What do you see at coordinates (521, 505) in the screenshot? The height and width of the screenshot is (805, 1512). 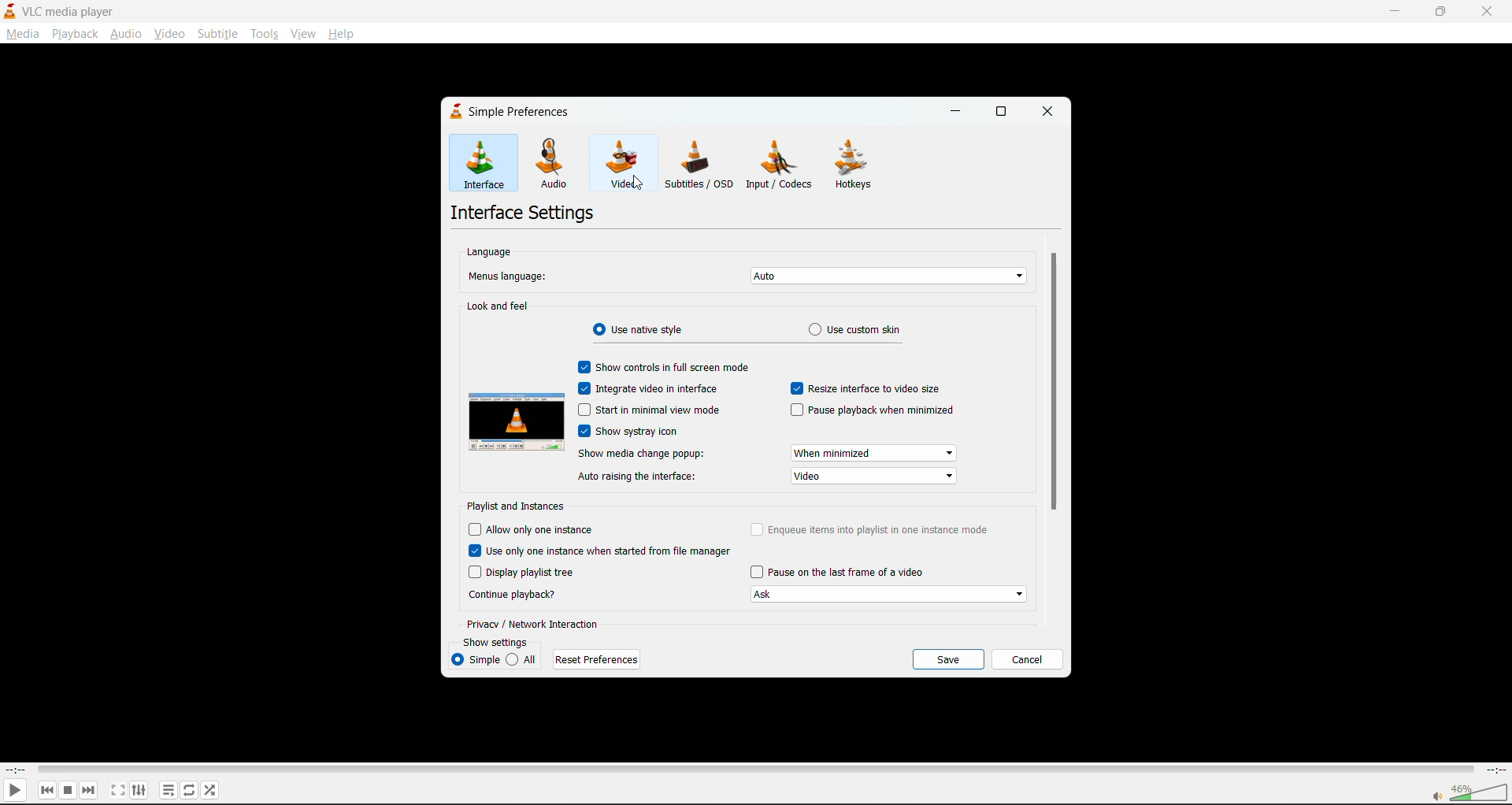 I see `playlist and instances ` at bounding box center [521, 505].